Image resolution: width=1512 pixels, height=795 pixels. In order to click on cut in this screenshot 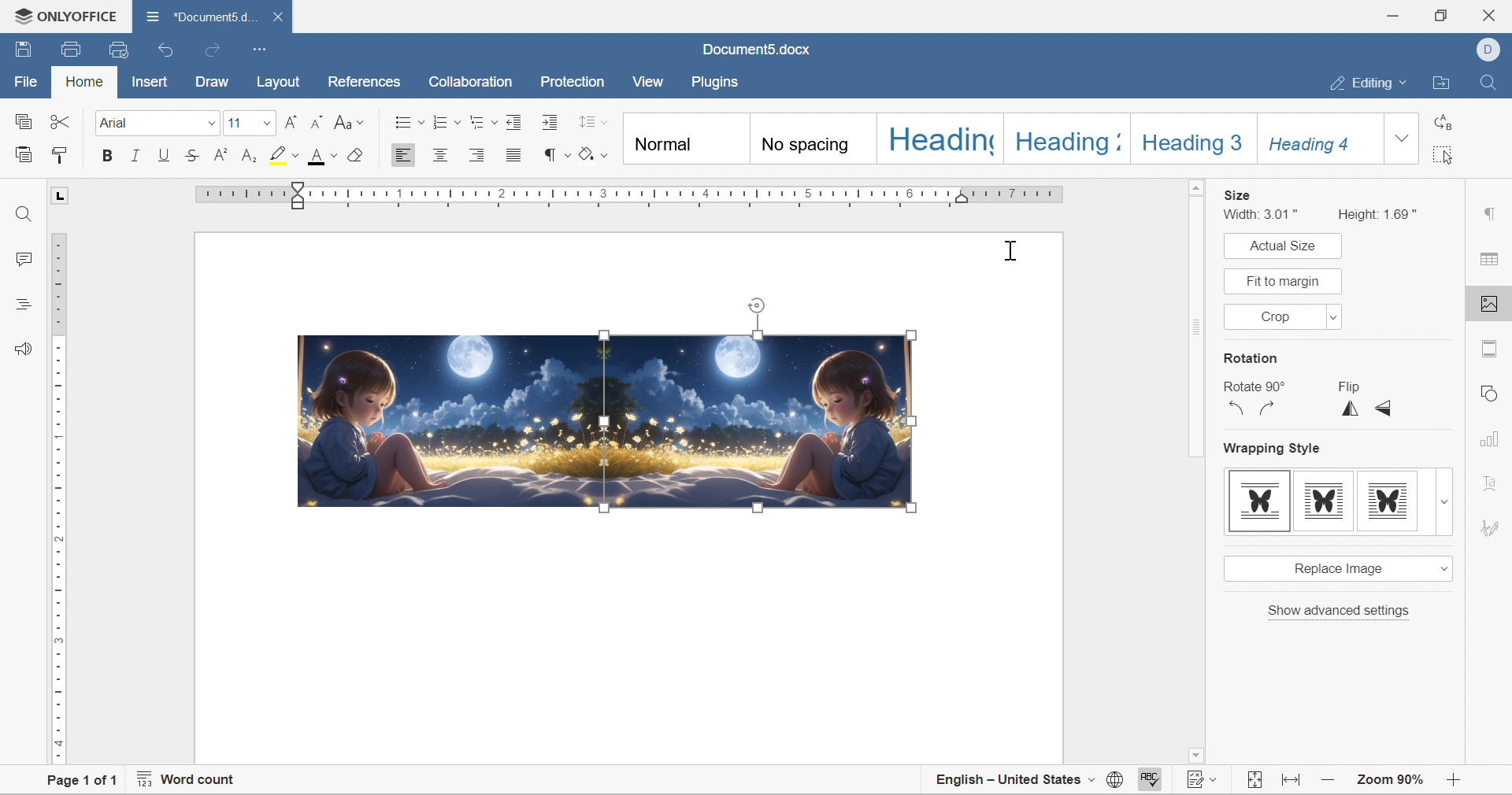, I will do `click(61, 120)`.